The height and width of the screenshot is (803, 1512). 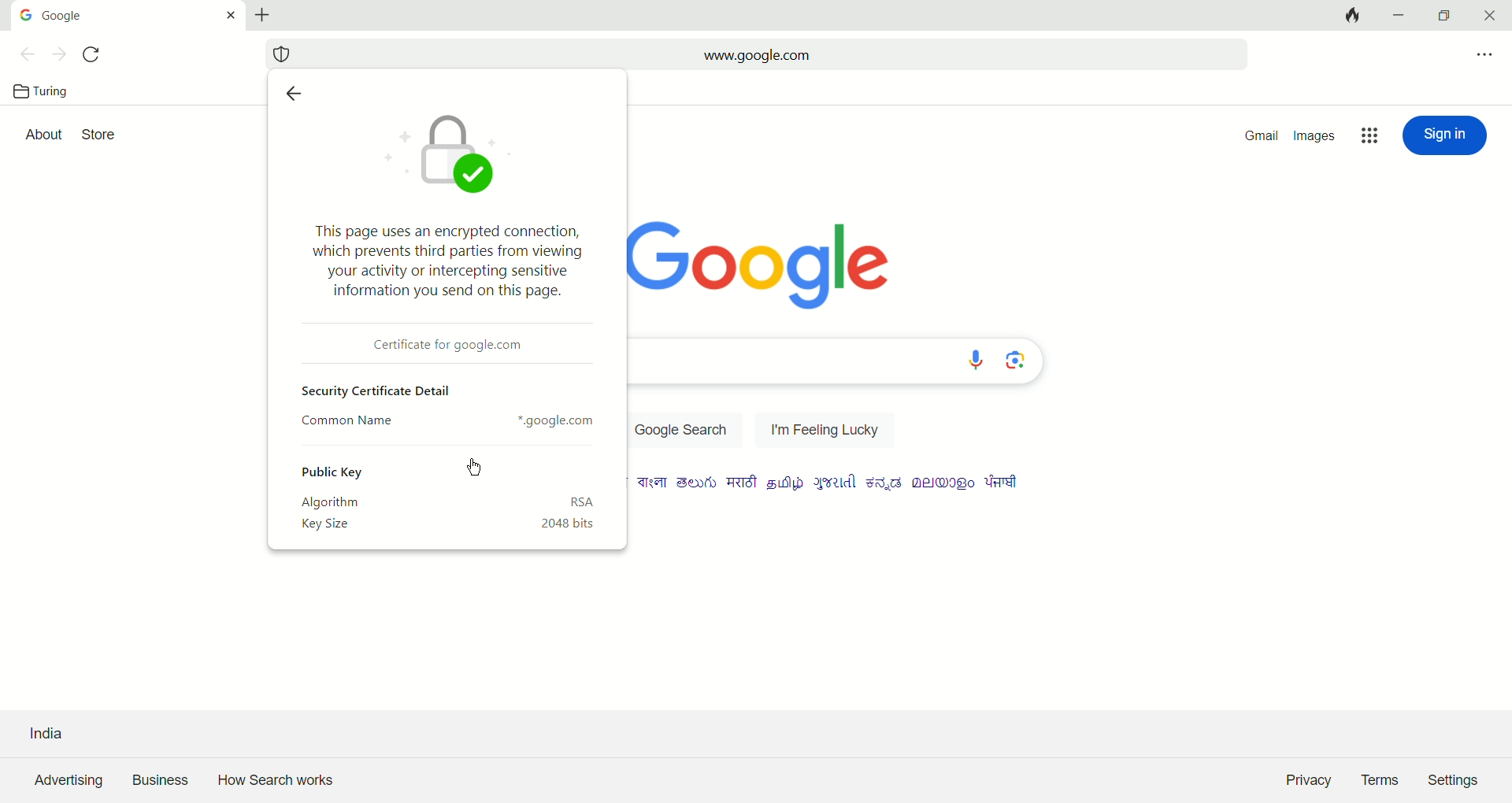 I want to click on google, so click(x=69, y=14).